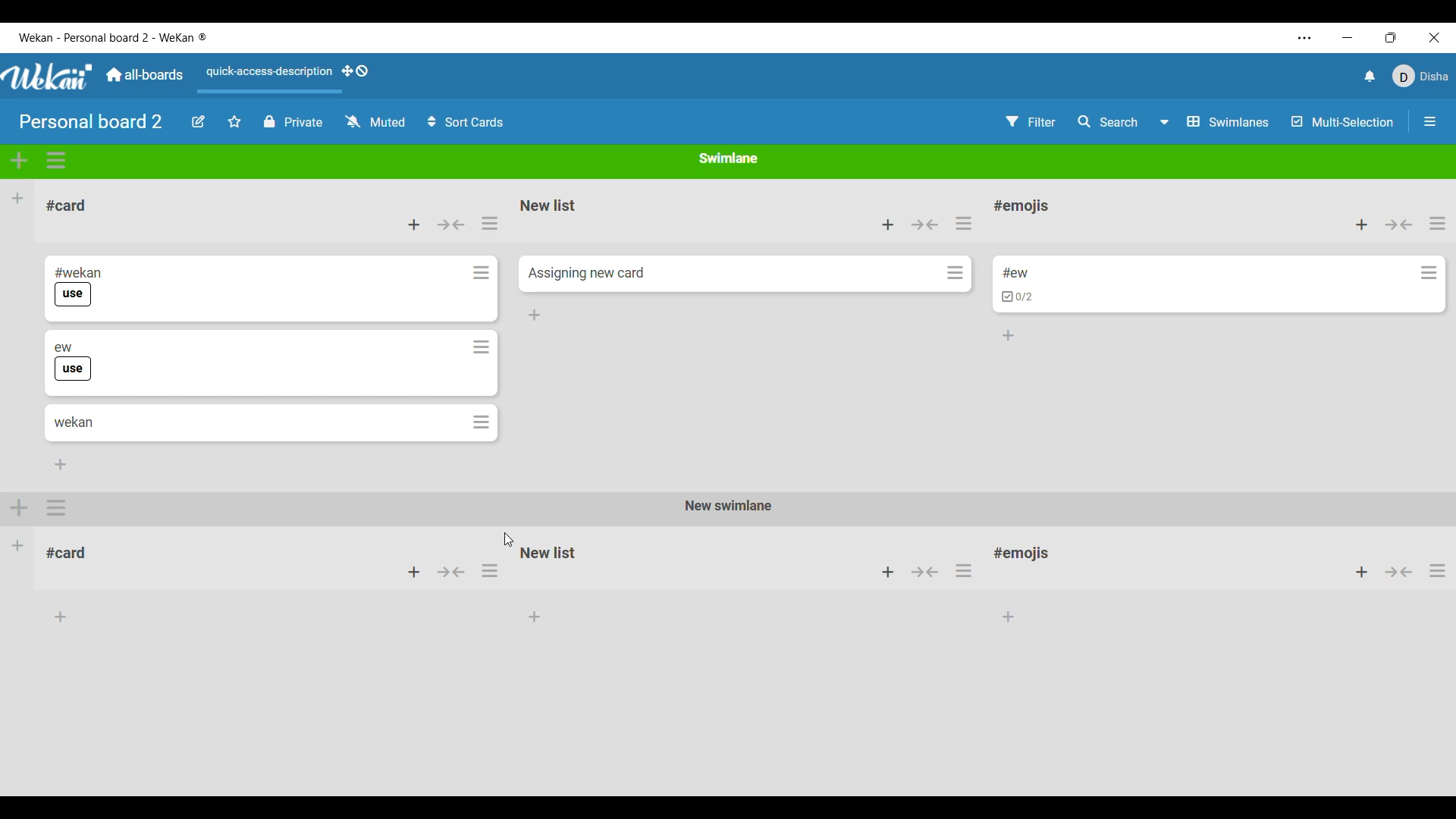 This screenshot has height=819, width=1456. Describe the element at coordinates (925, 224) in the screenshot. I see `Collapse` at that location.